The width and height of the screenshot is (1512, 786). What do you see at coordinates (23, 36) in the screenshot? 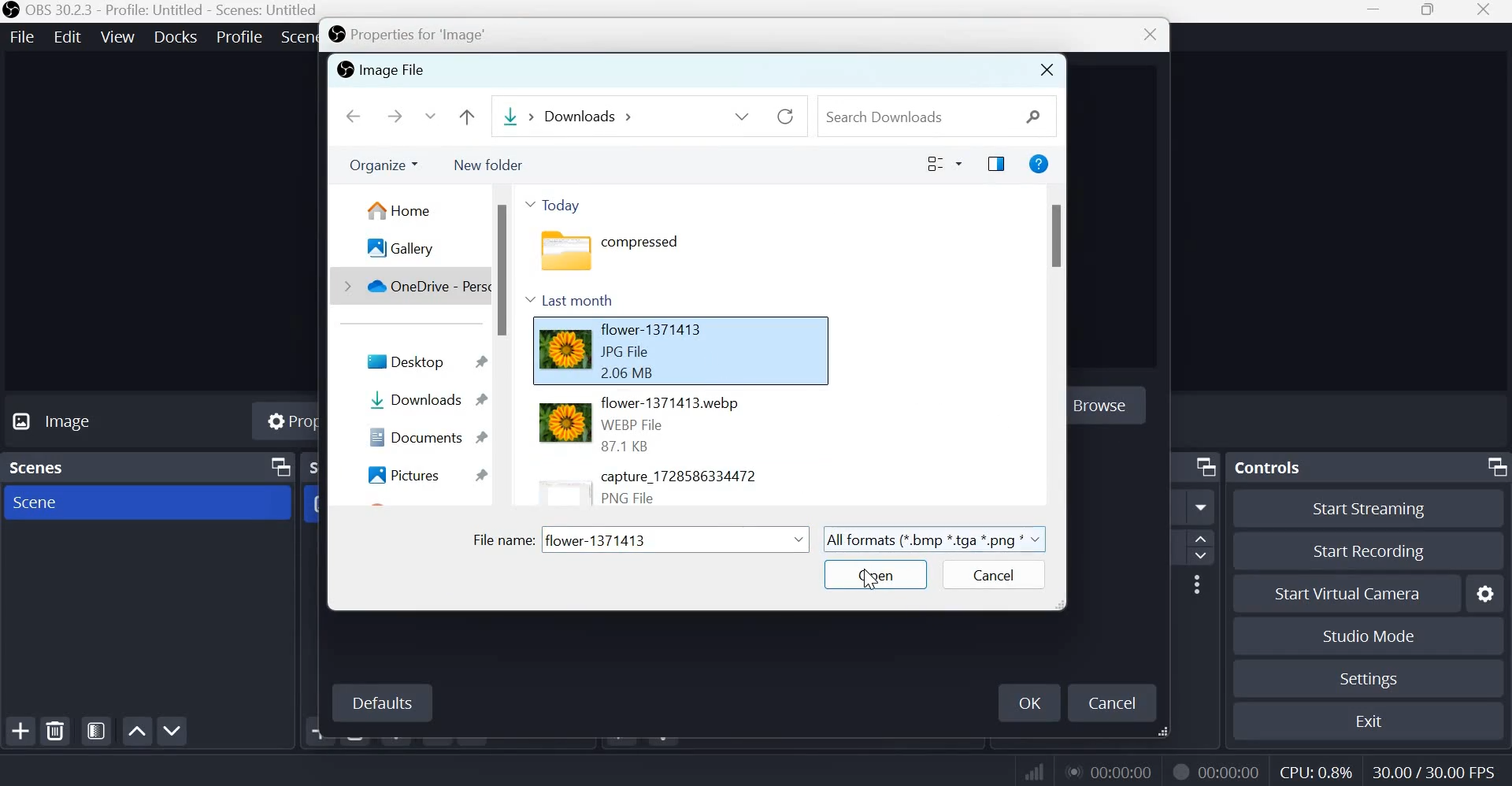
I see `file` at bounding box center [23, 36].